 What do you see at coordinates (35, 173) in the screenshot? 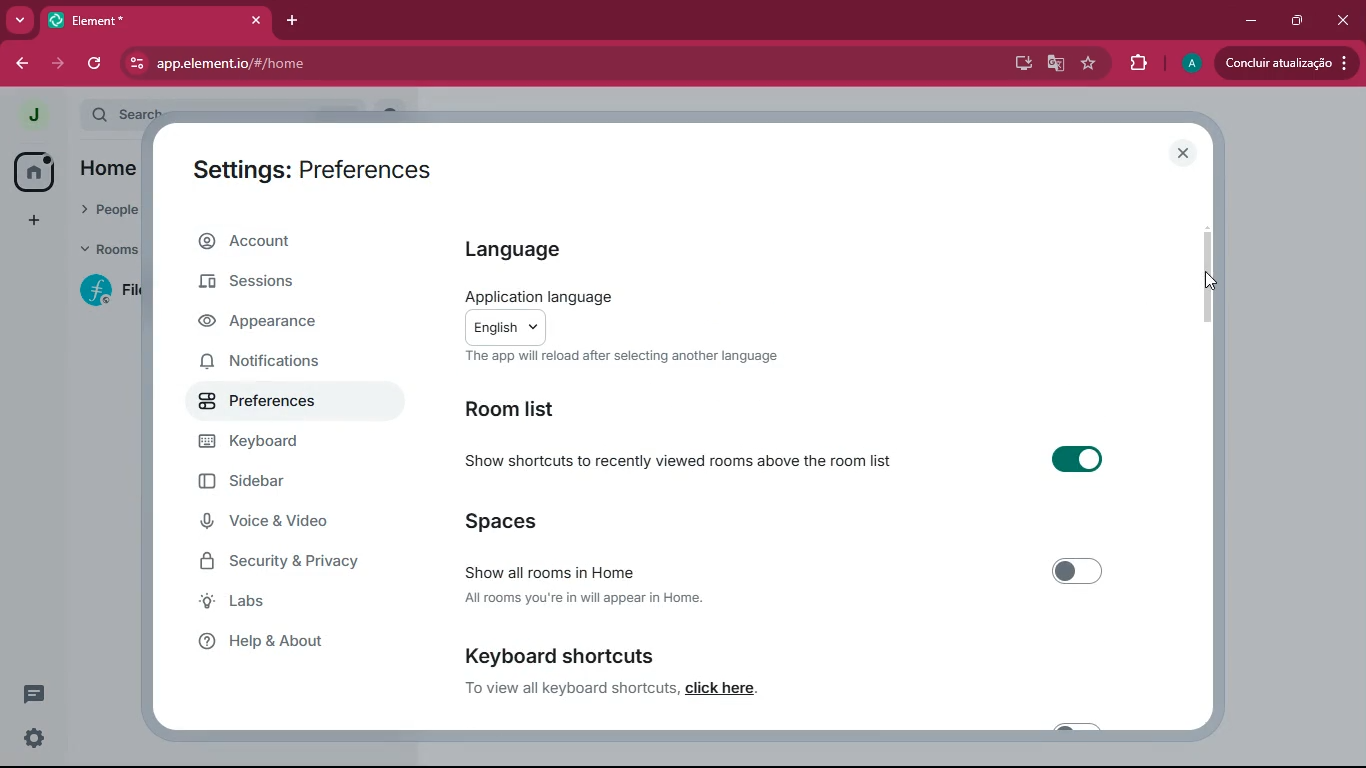
I see `home` at bounding box center [35, 173].